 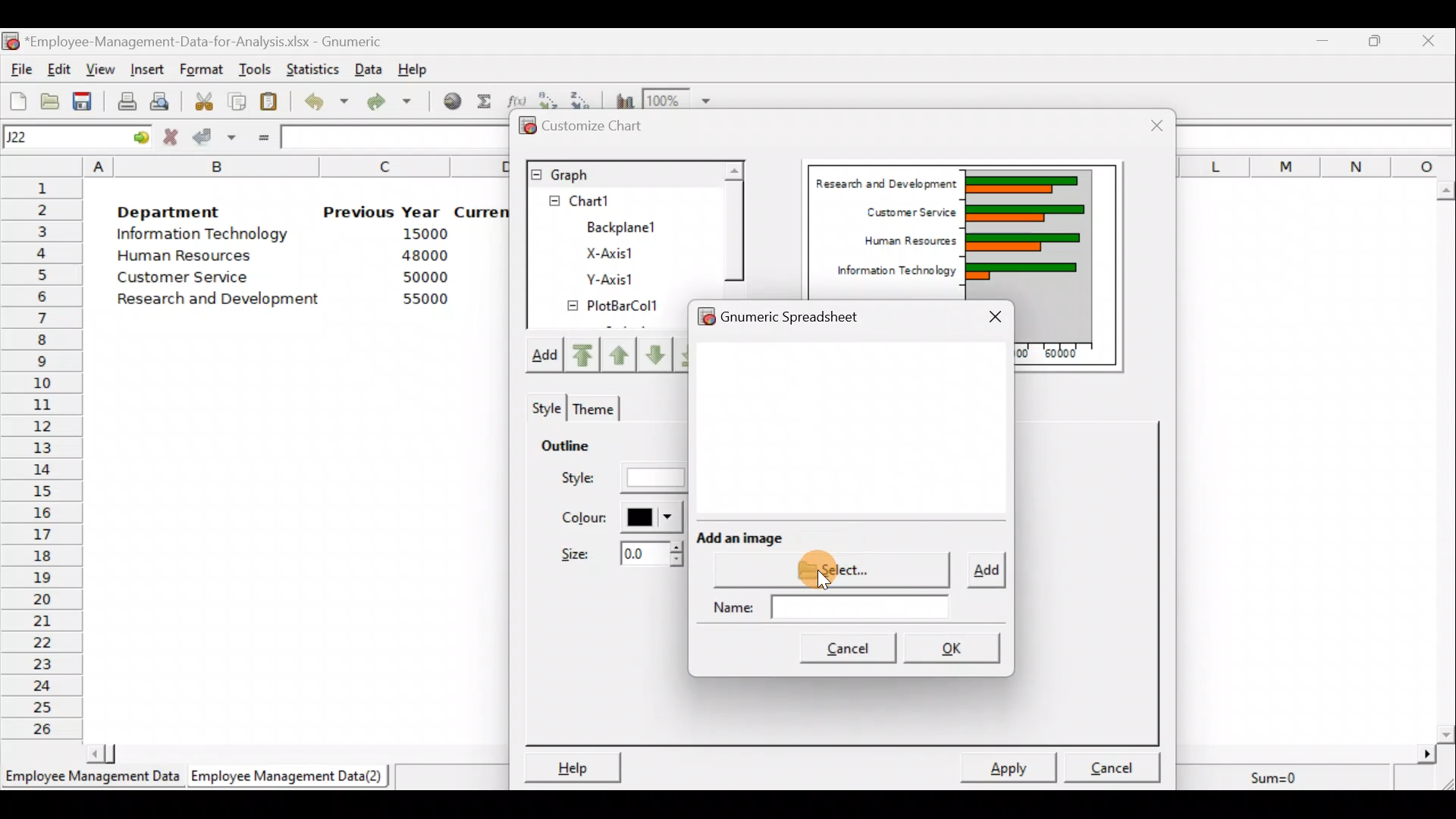 I want to click on BackPlane1, so click(x=631, y=225).